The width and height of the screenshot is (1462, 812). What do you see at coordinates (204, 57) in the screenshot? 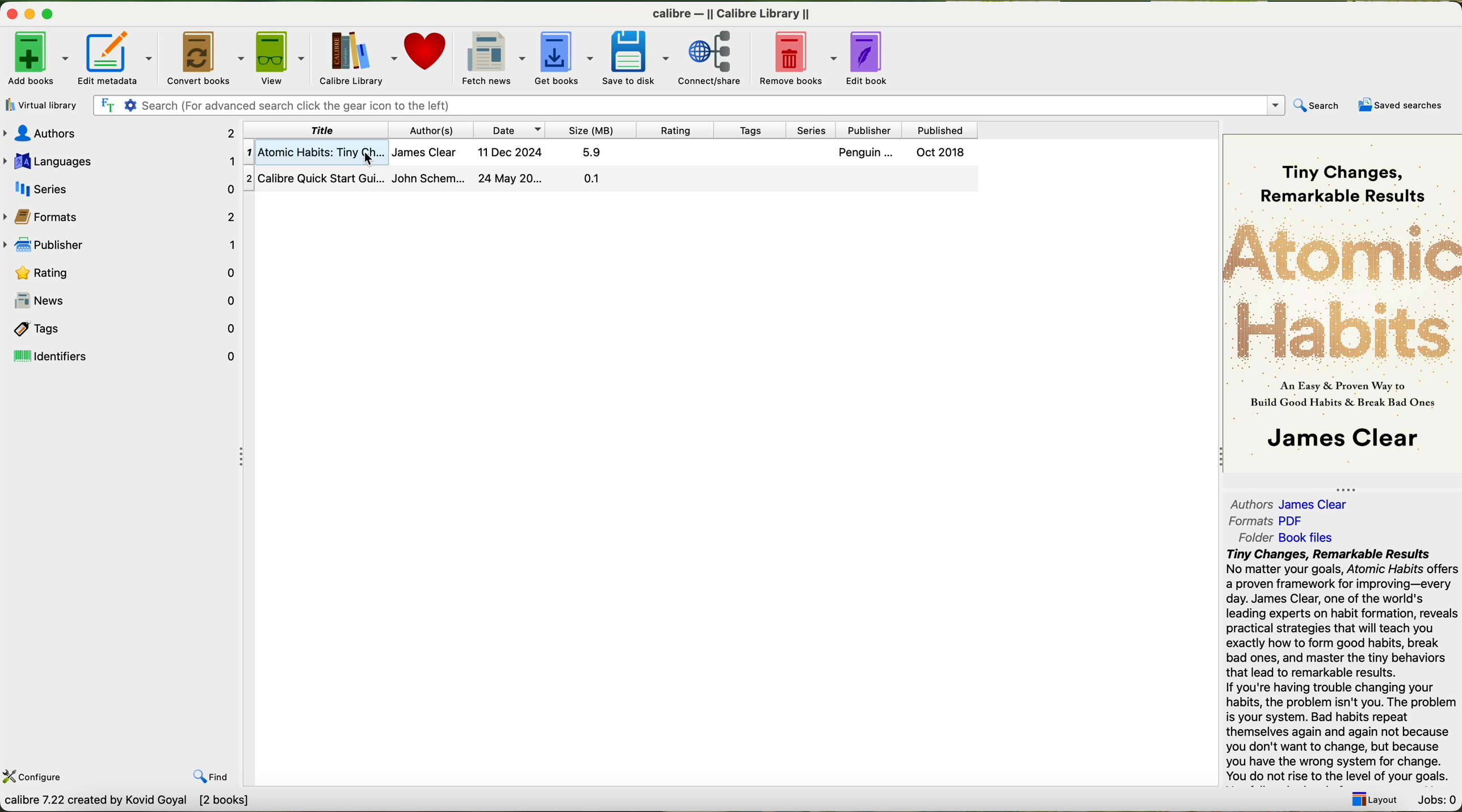
I see `convert books` at bounding box center [204, 57].